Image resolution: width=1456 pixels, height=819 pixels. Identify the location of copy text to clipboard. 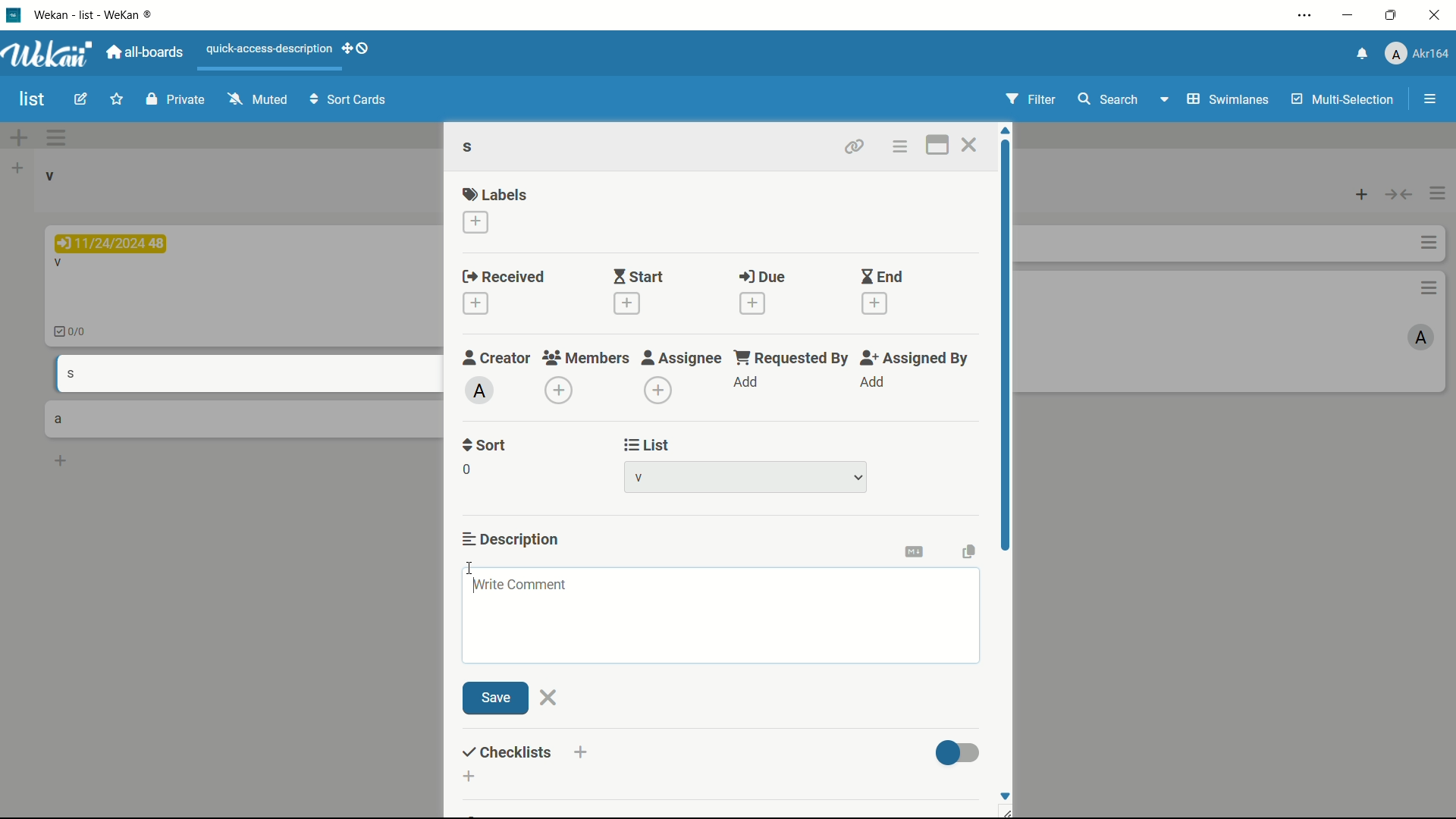
(970, 552).